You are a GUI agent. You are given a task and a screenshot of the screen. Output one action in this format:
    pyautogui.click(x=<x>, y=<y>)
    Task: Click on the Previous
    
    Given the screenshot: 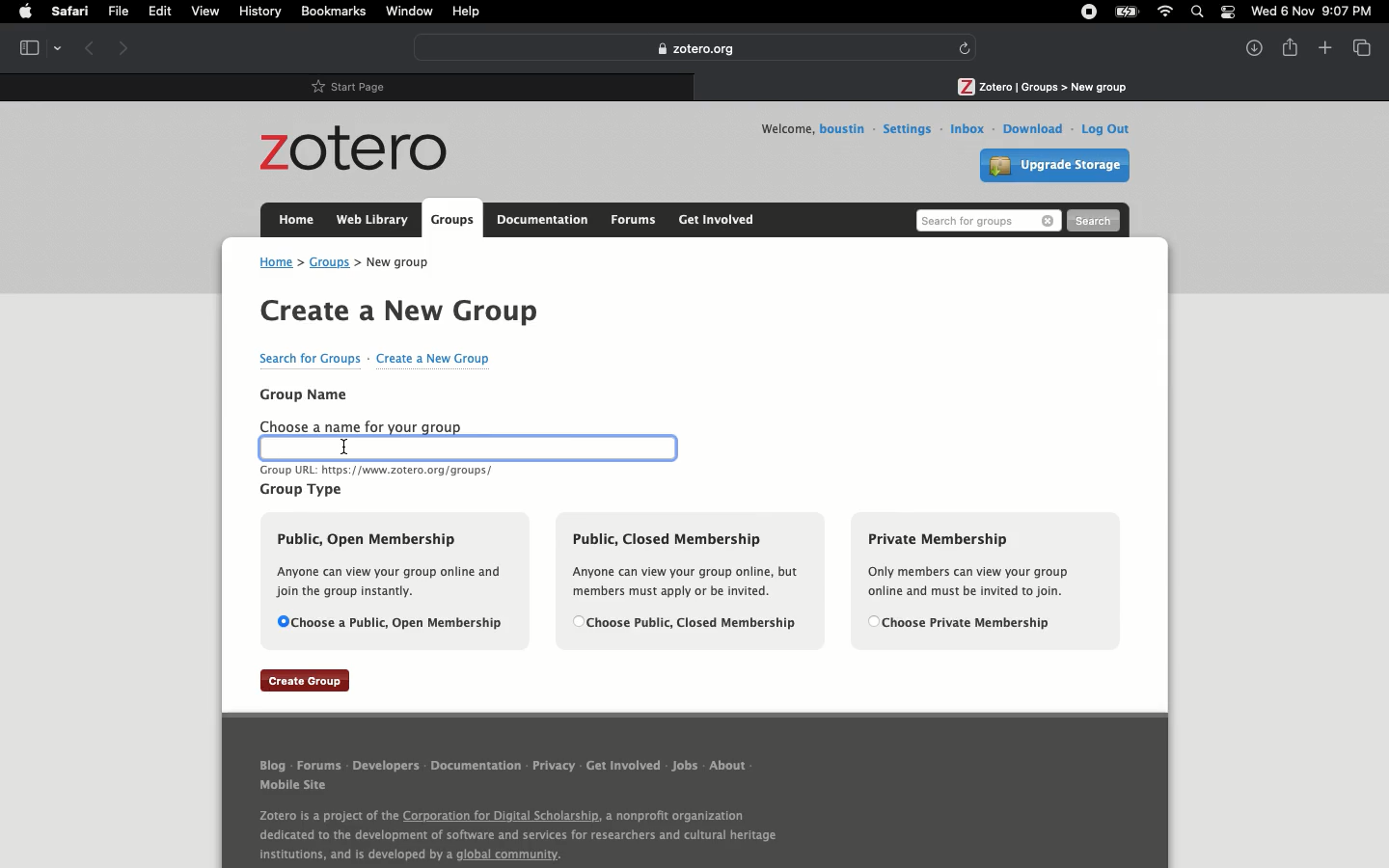 What is the action you would take?
    pyautogui.click(x=91, y=48)
    